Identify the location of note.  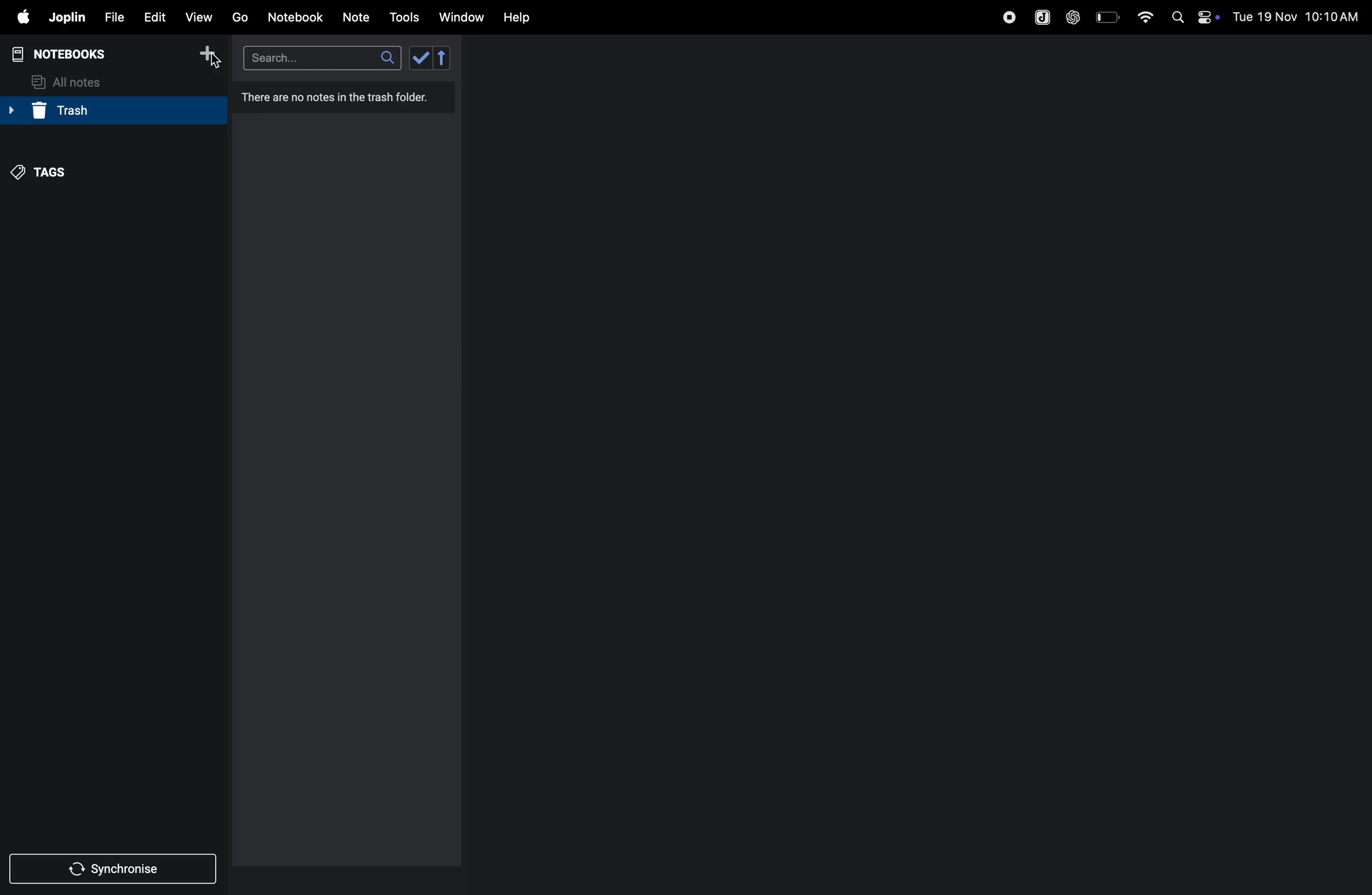
(361, 16).